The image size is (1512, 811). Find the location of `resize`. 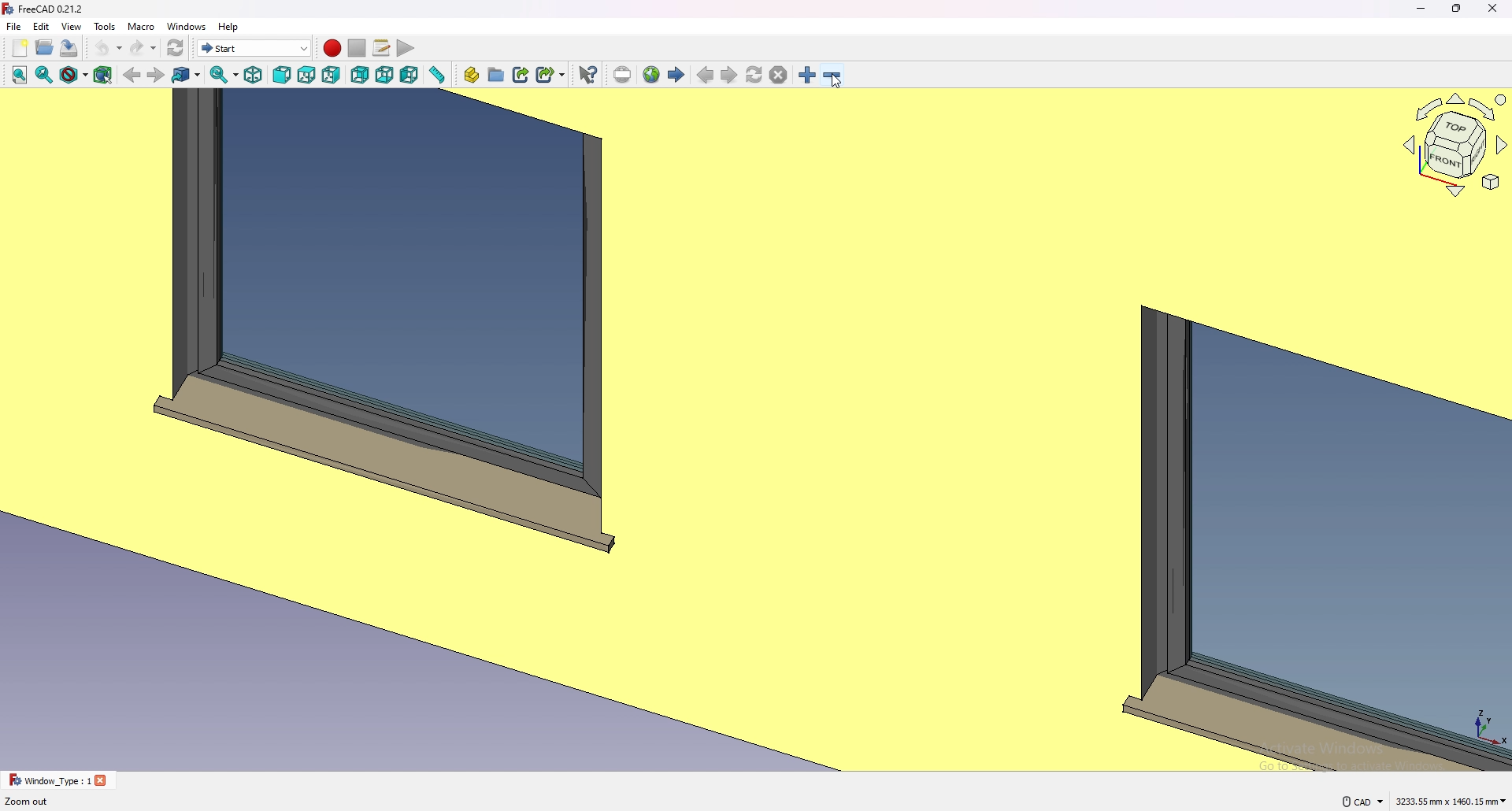

resize is located at coordinates (1458, 9).